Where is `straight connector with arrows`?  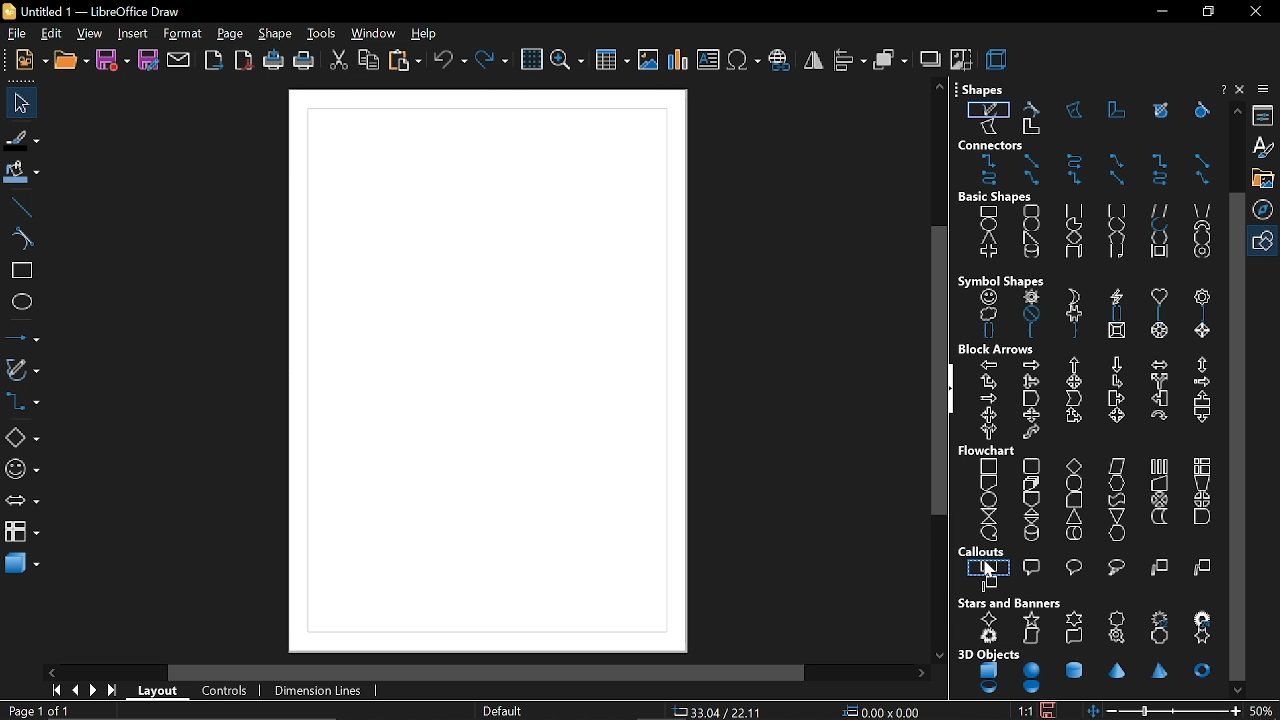
straight connector with arrows is located at coordinates (1118, 180).